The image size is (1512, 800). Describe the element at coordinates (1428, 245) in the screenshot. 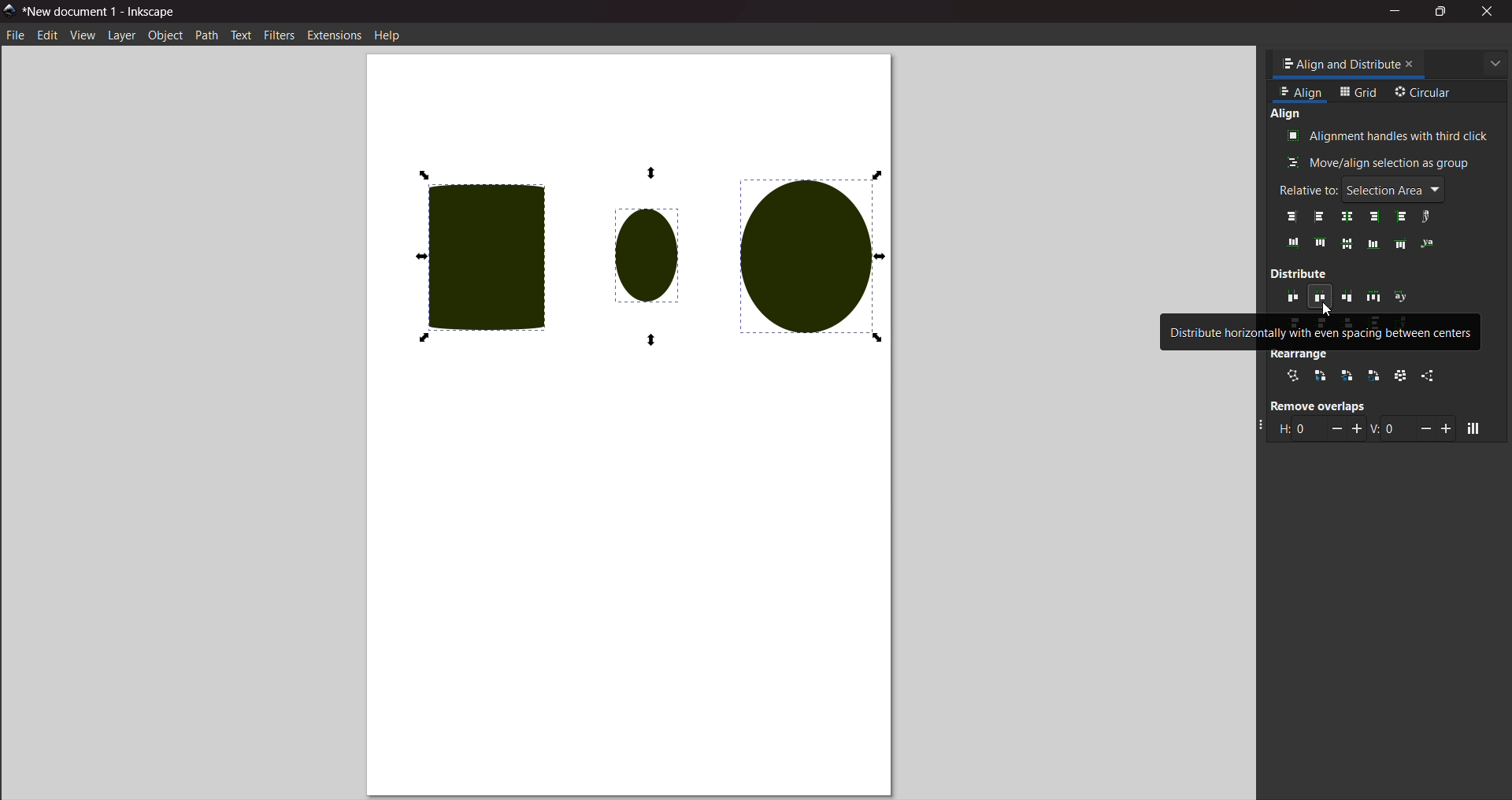

I see `text anchor vertically` at that location.